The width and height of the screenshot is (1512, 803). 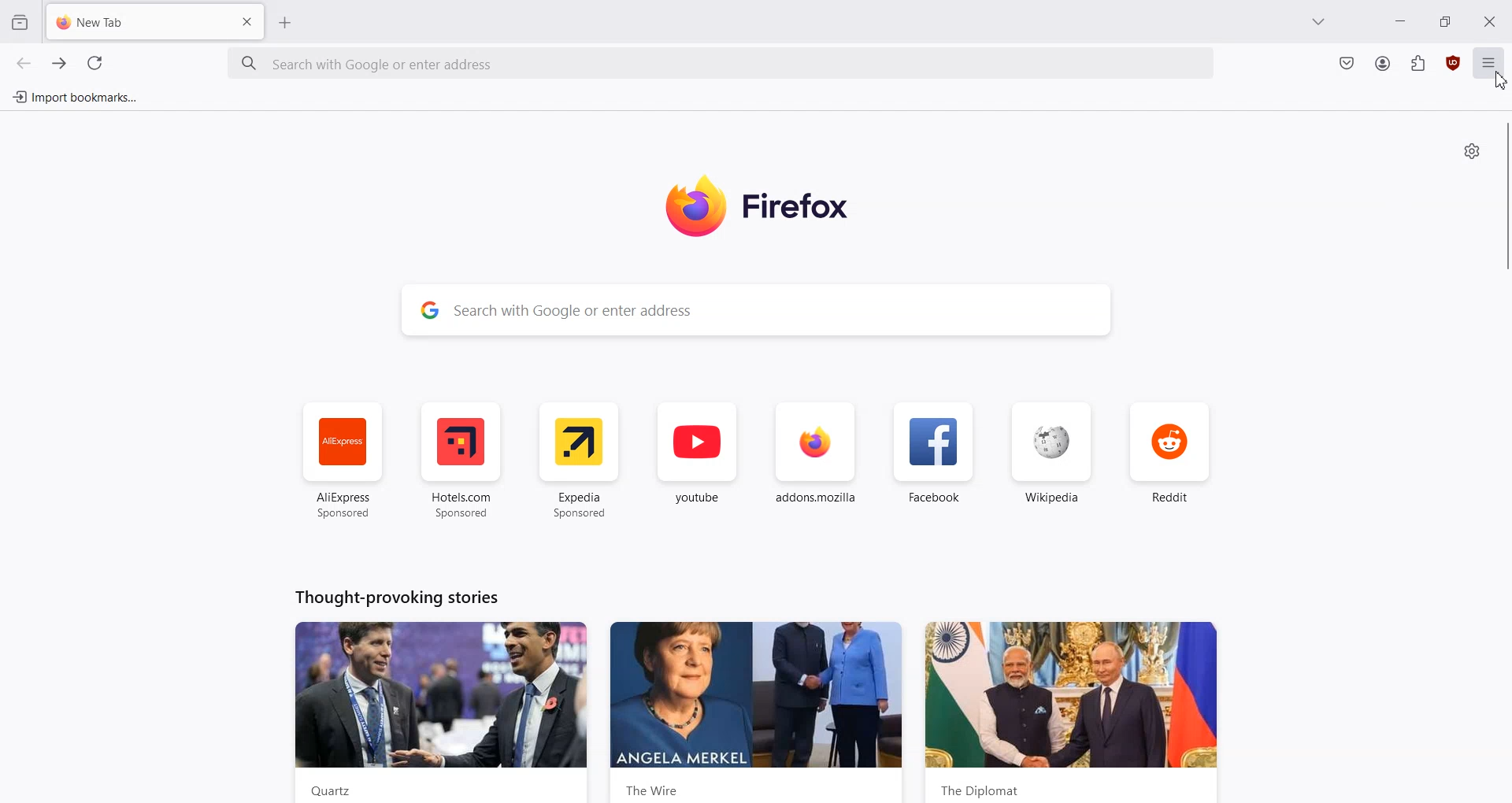 What do you see at coordinates (135, 22) in the screenshot?
I see `New Tab` at bounding box center [135, 22].